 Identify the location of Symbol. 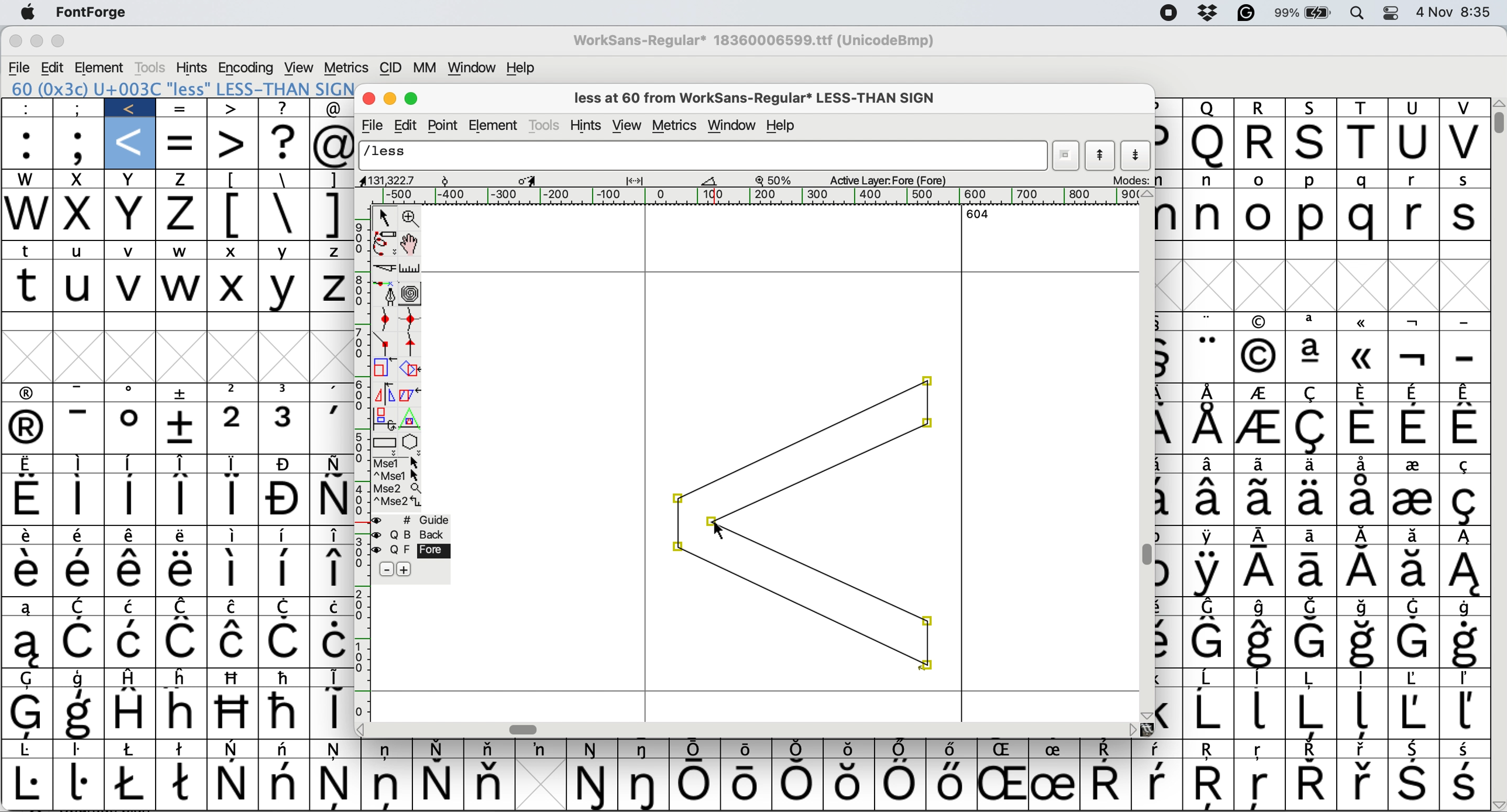
(1415, 429).